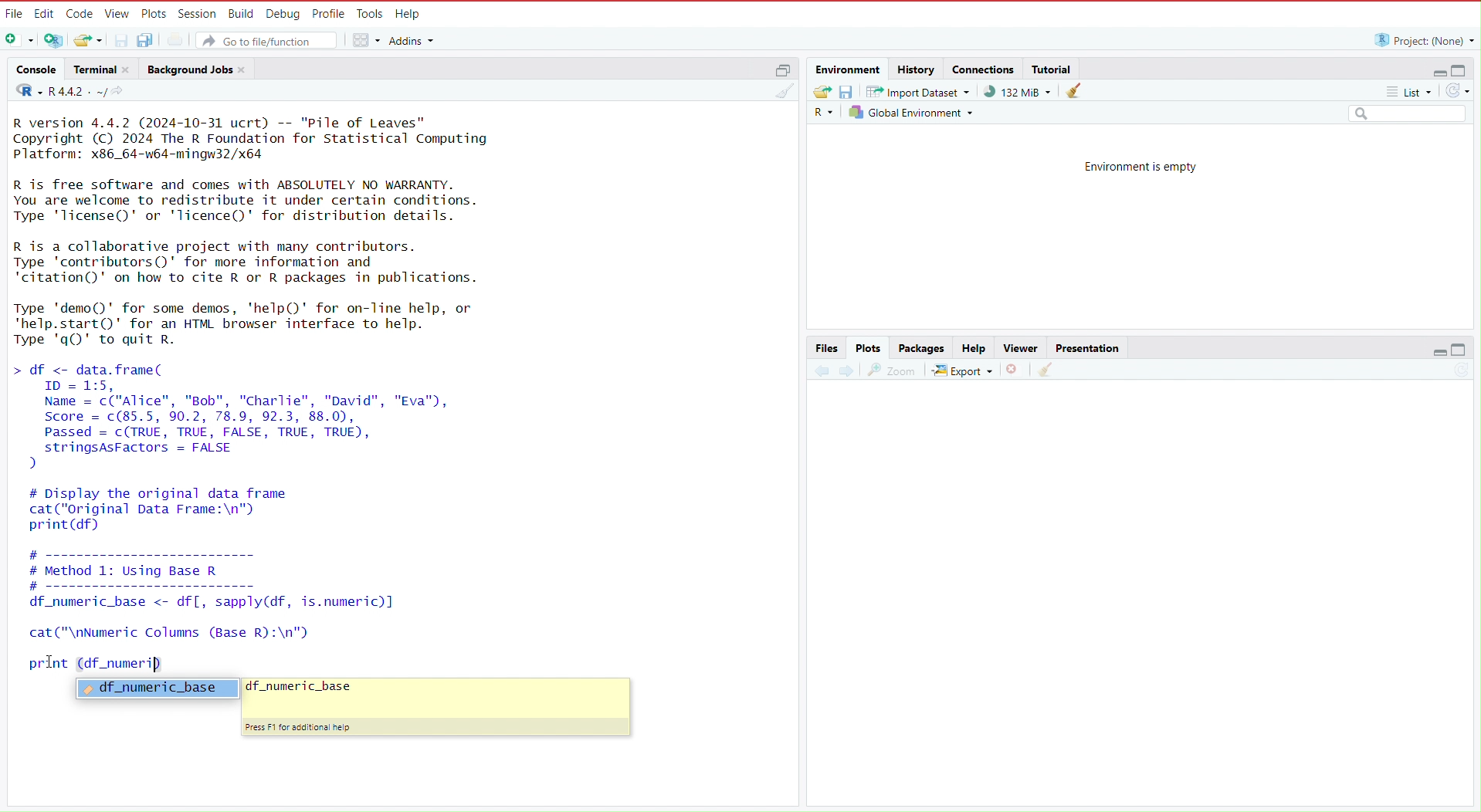  Describe the element at coordinates (79, 11) in the screenshot. I see `Code` at that location.